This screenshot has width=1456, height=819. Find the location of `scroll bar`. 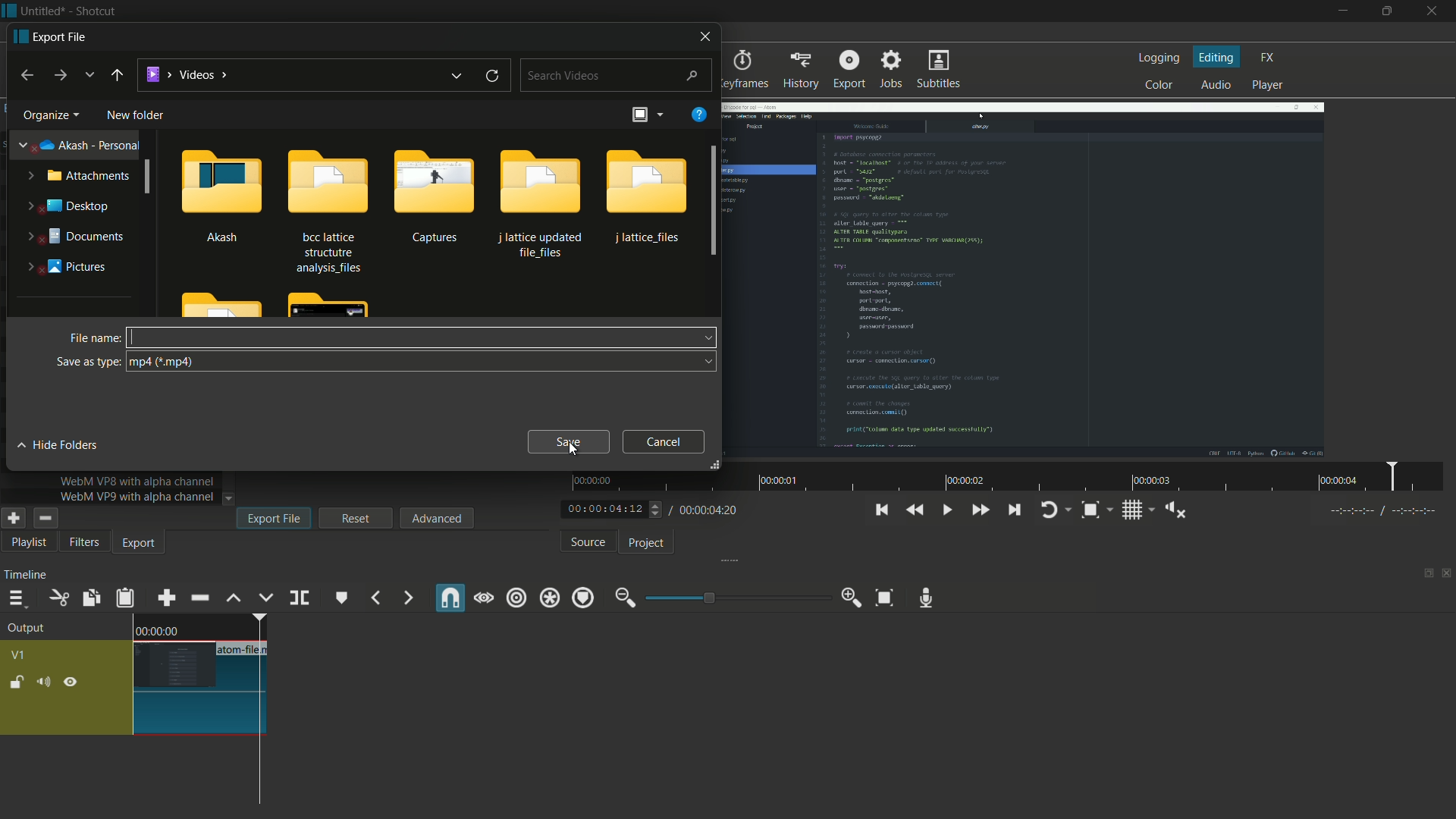

scroll bar is located at coordinates (708, 201).